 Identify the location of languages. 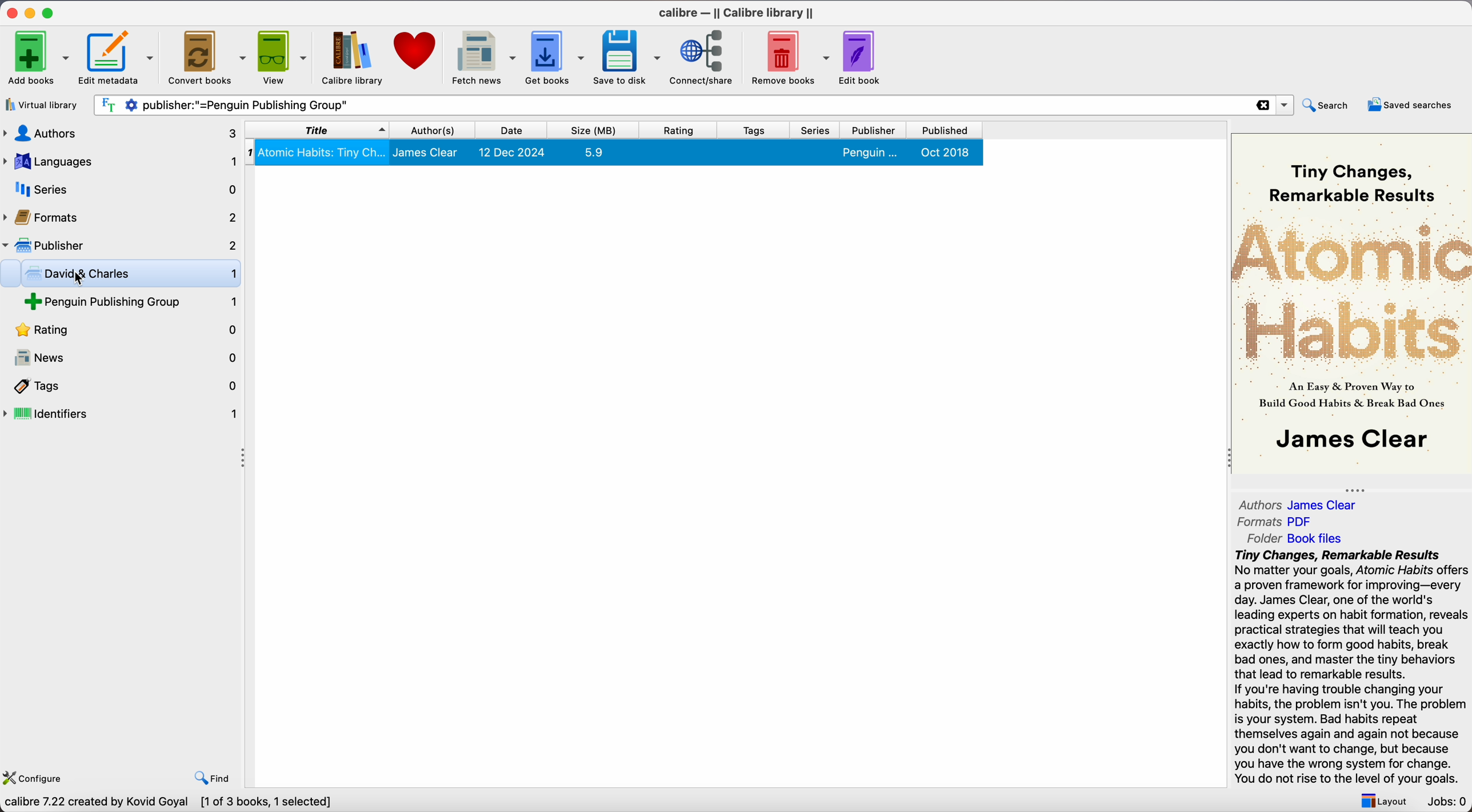
(119, 162).